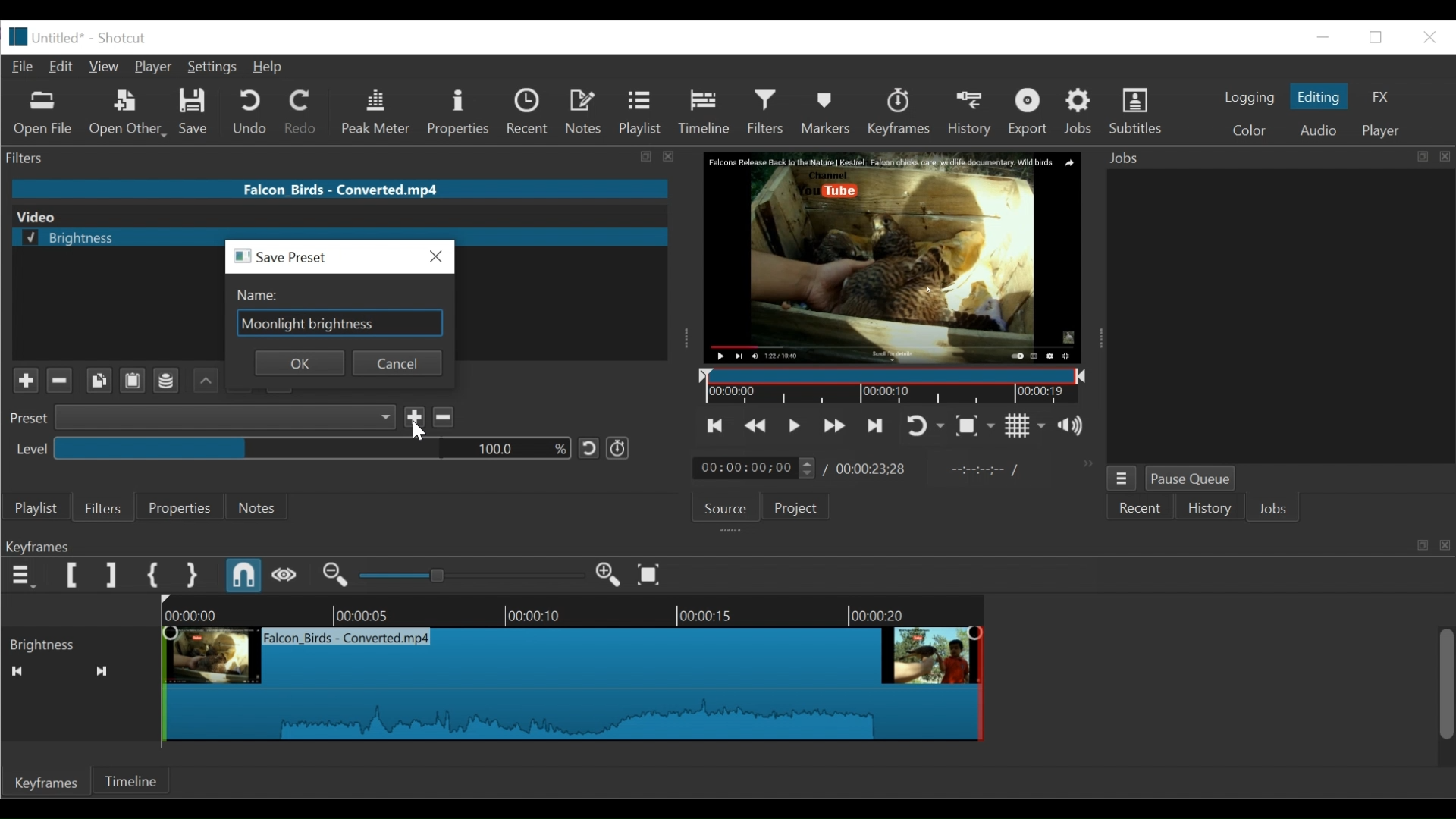  Describe the element at coordinates (344, 313) in the screenshot. I see `Name` at that location.